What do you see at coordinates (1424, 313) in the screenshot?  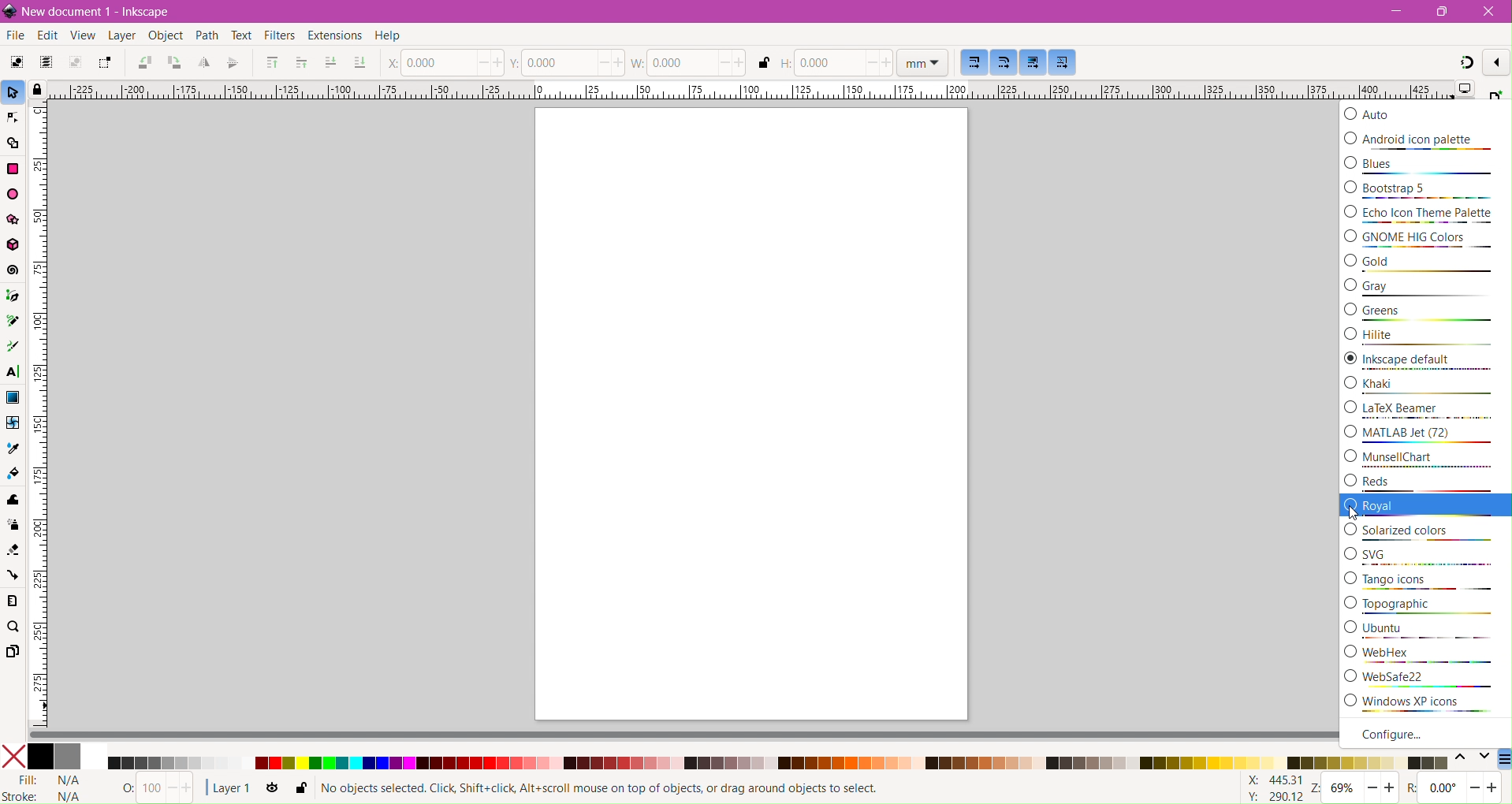 I see `Greens` at bounding box center [1424, 313].